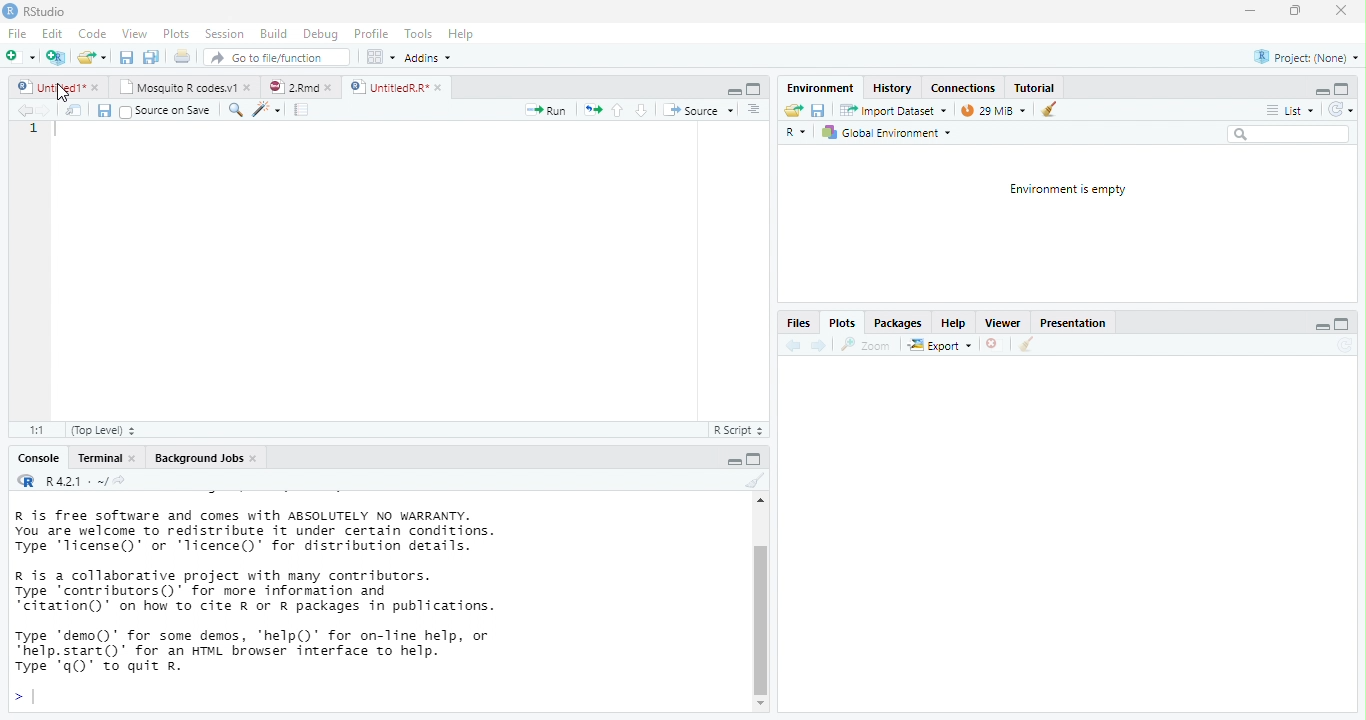  I want to click on close, so click(441, 88).